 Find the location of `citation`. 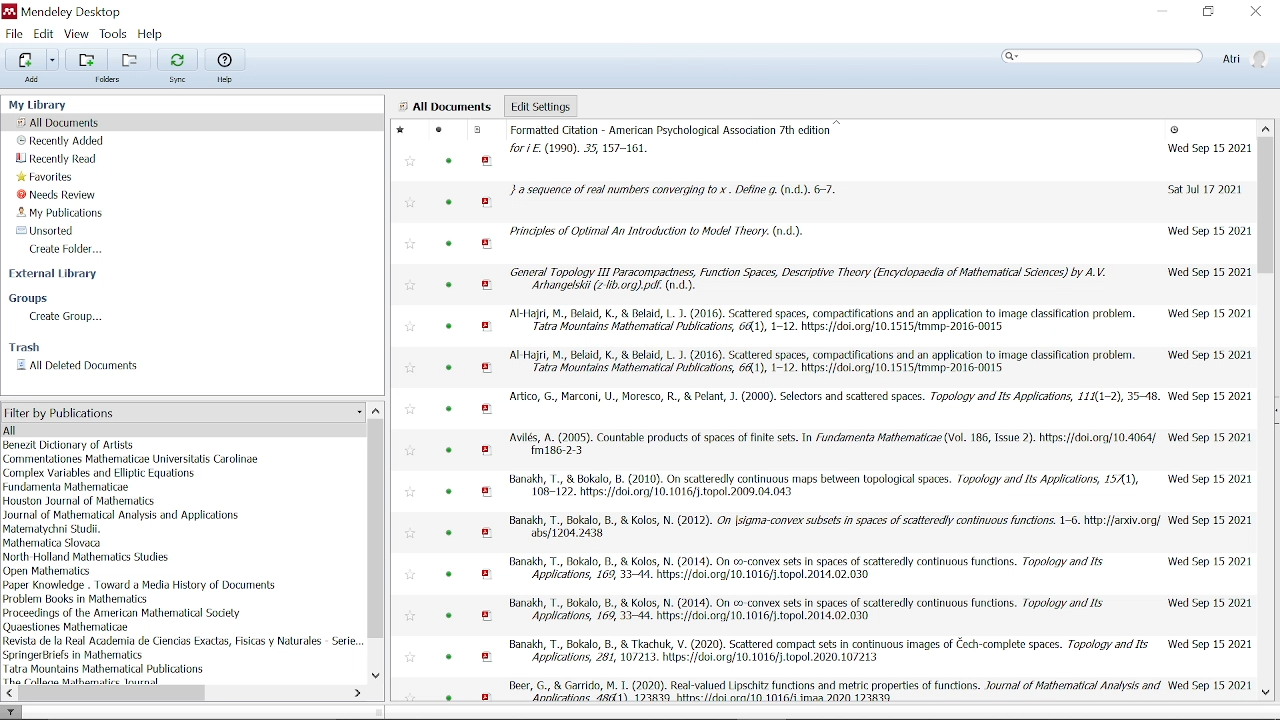

citation is located at coordinates (811, 610).